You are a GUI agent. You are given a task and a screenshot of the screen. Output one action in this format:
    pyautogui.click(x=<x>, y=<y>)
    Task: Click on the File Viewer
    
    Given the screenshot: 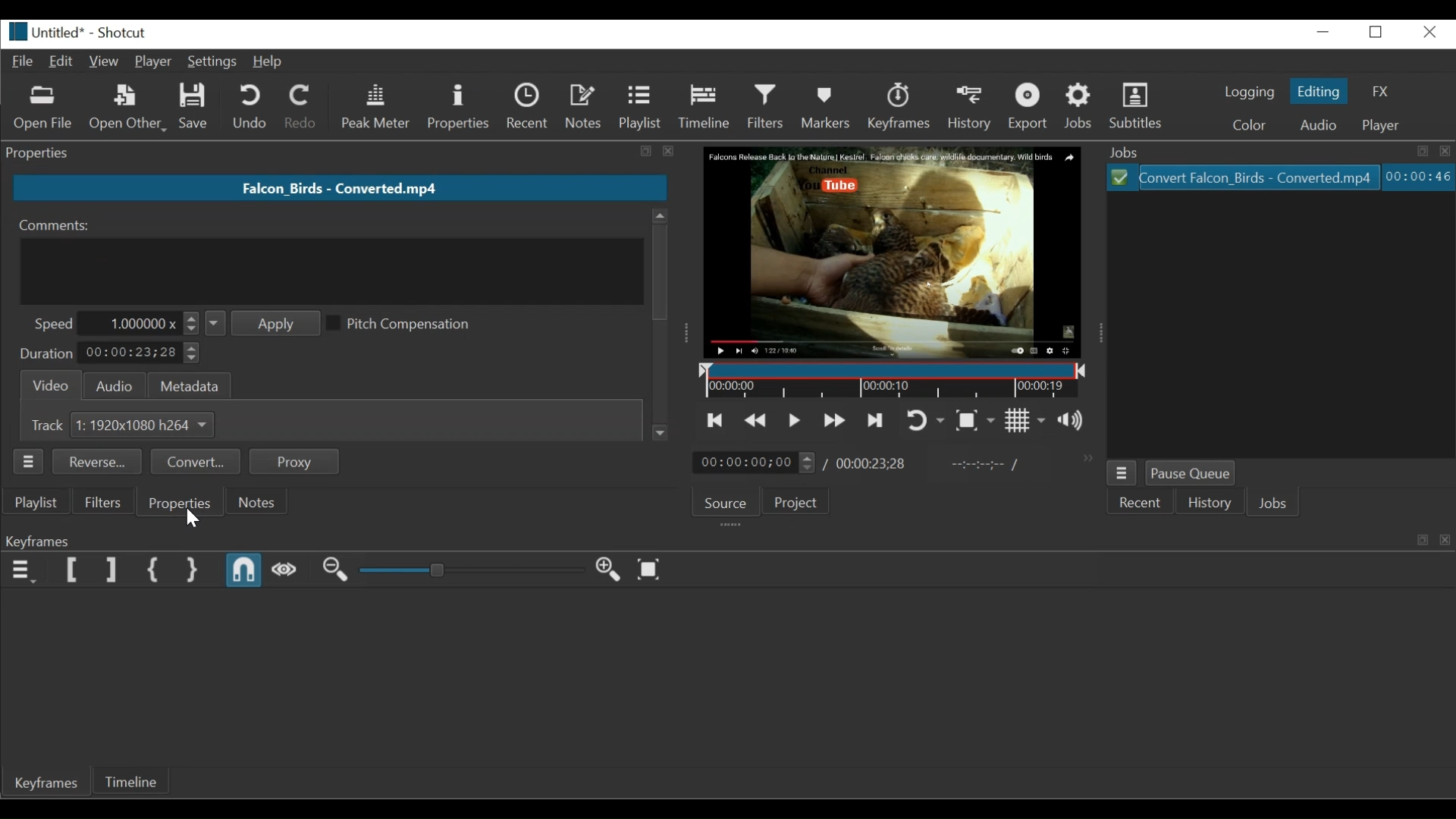 What is the action you would take?
    pyautogui.click(x=1278, y=326)
    